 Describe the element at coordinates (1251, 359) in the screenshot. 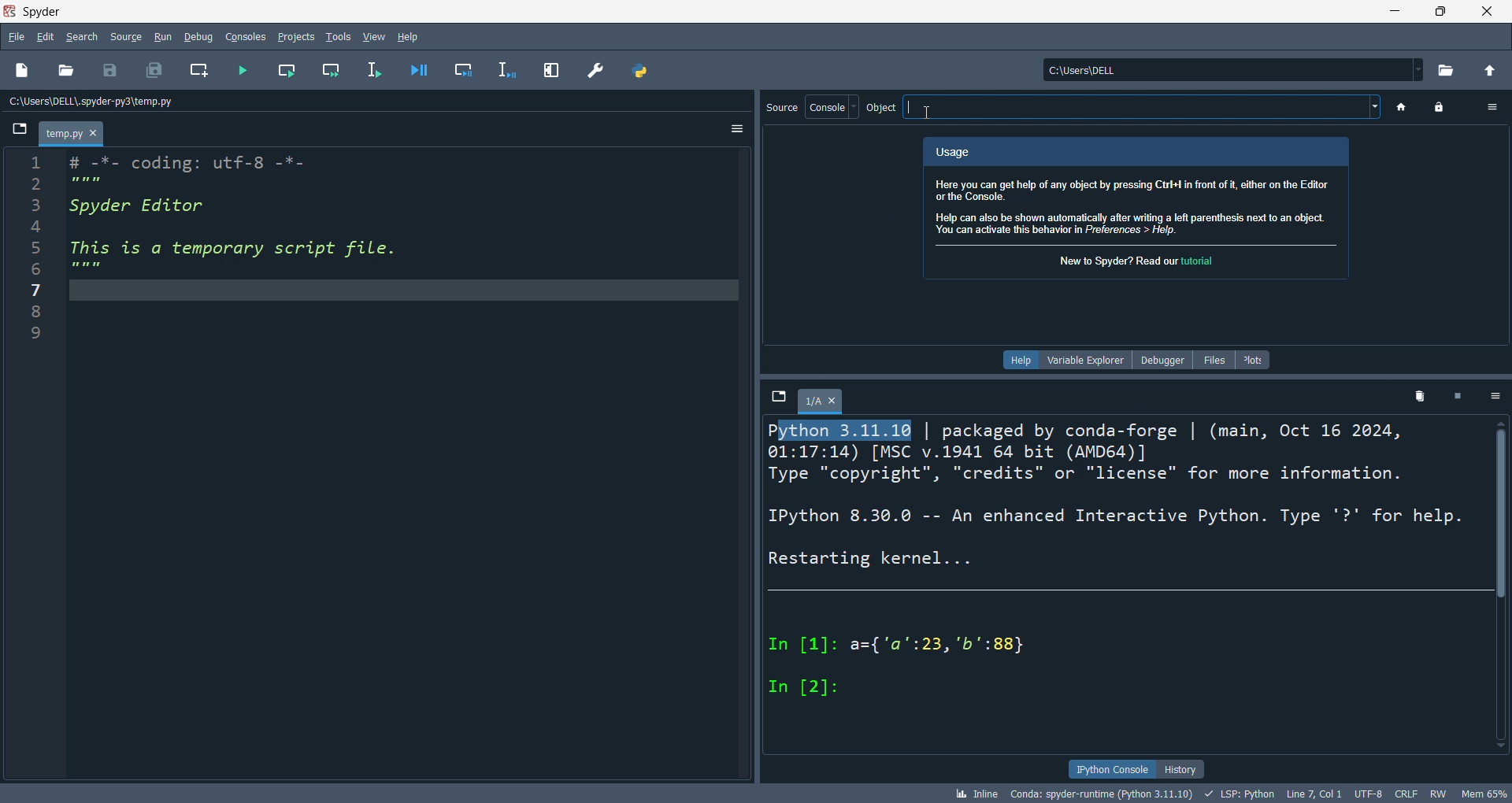

I see `plots` at that location.